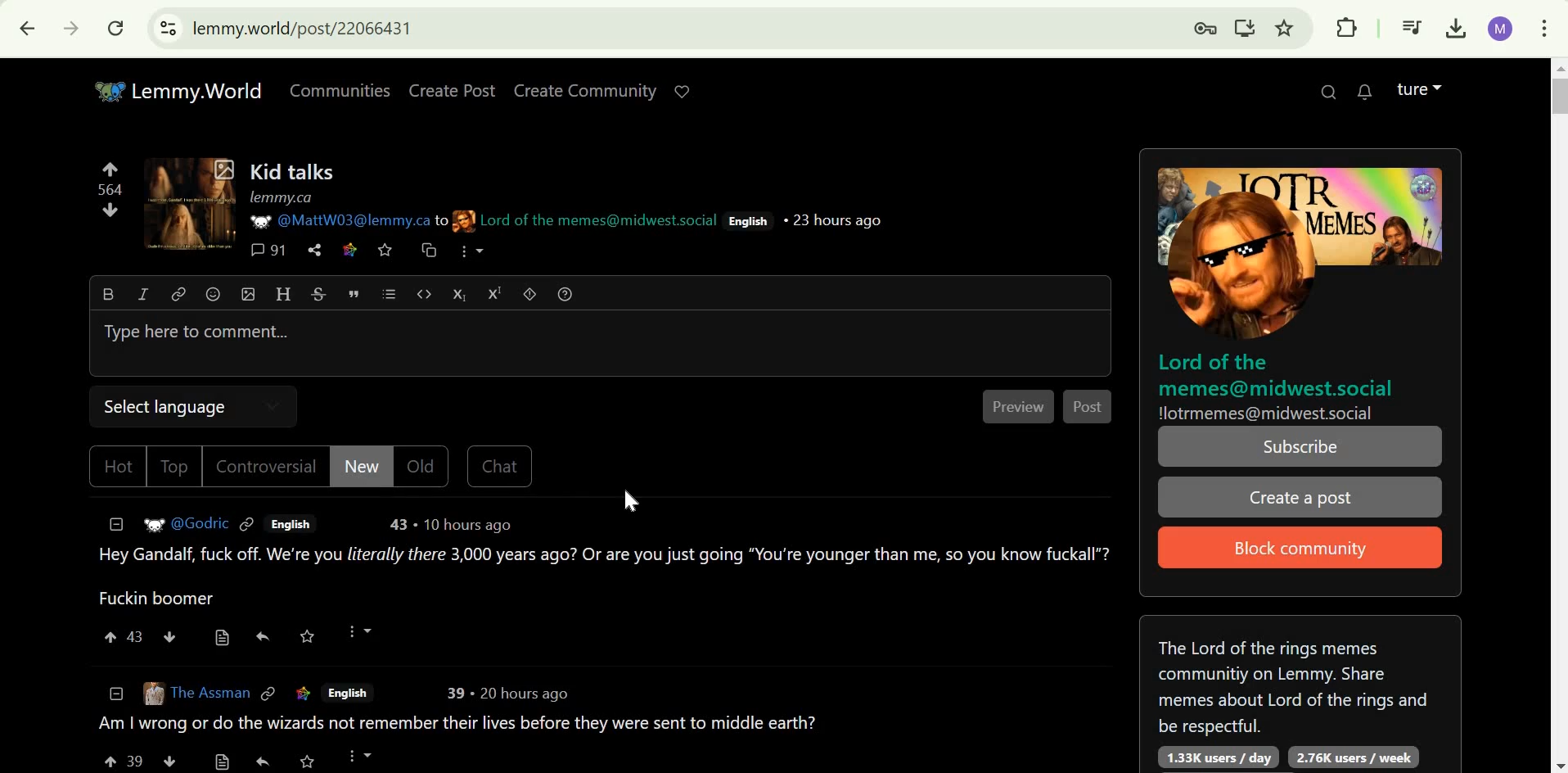 The image size is (1568, 773). I want to click on quote, so click(353, 292).